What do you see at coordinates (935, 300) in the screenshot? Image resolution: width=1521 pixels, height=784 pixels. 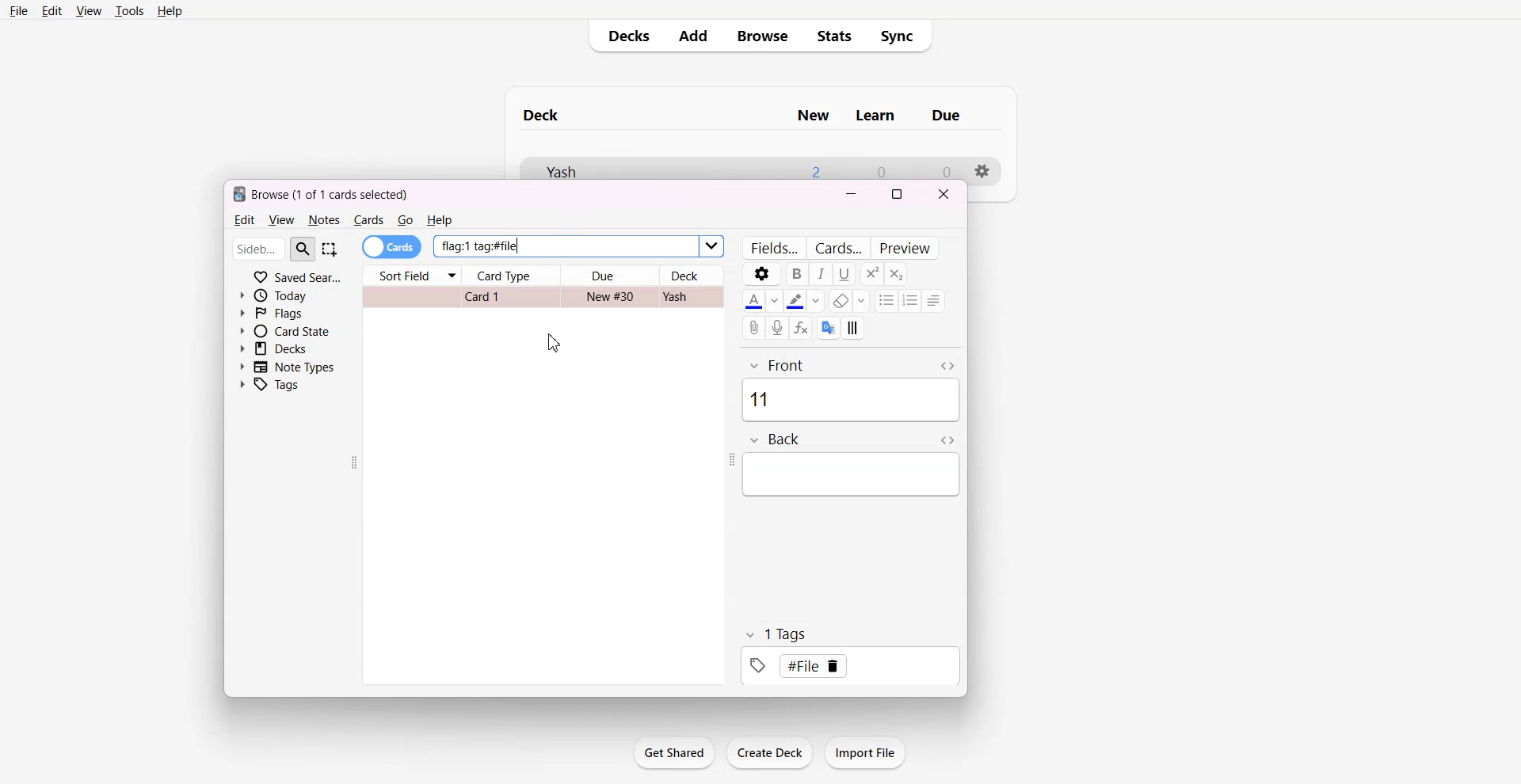 I see `Alignment` at bounding box center [935, 300].